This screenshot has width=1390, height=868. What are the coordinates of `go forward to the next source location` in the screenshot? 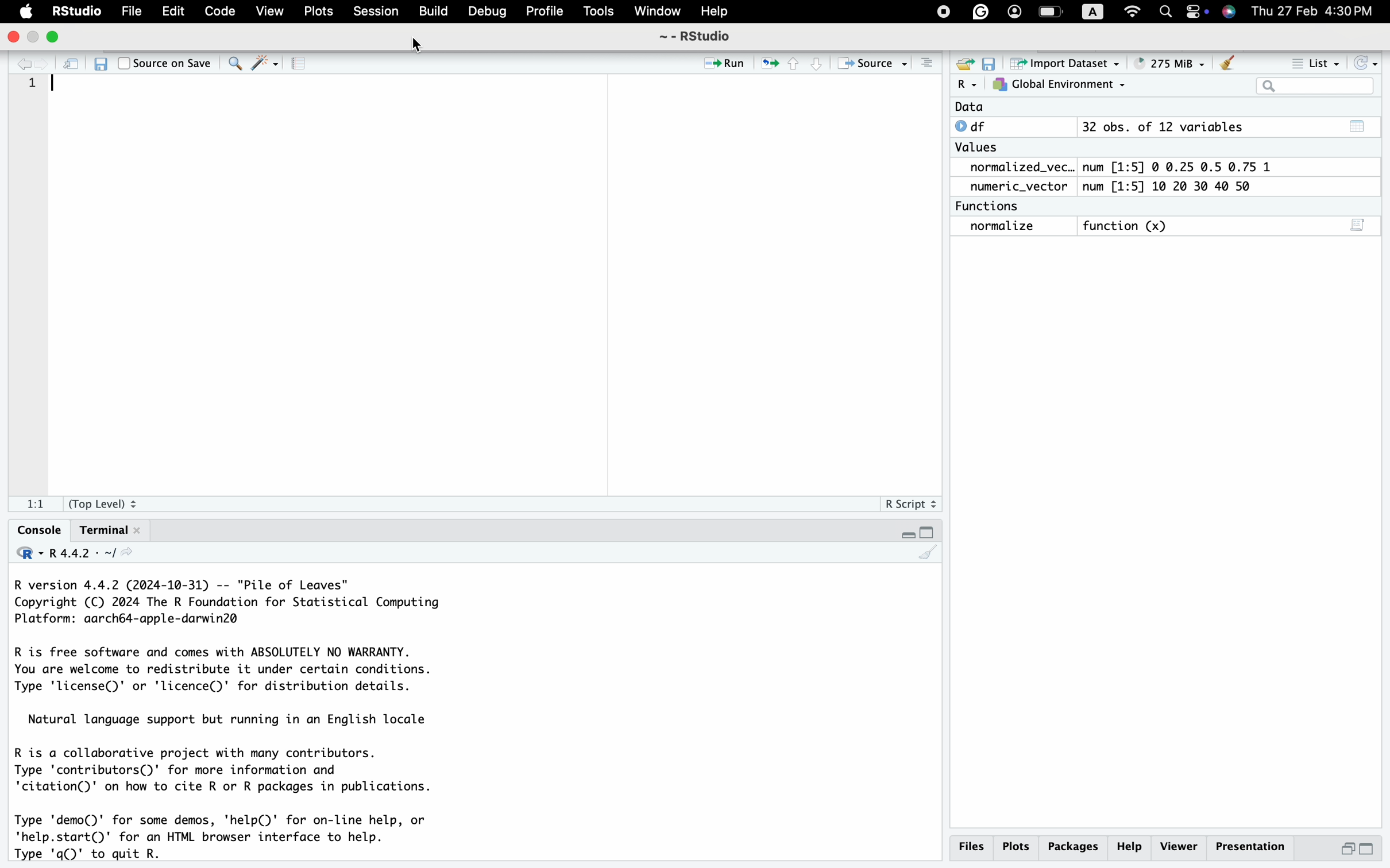 It's located at (43, 64).